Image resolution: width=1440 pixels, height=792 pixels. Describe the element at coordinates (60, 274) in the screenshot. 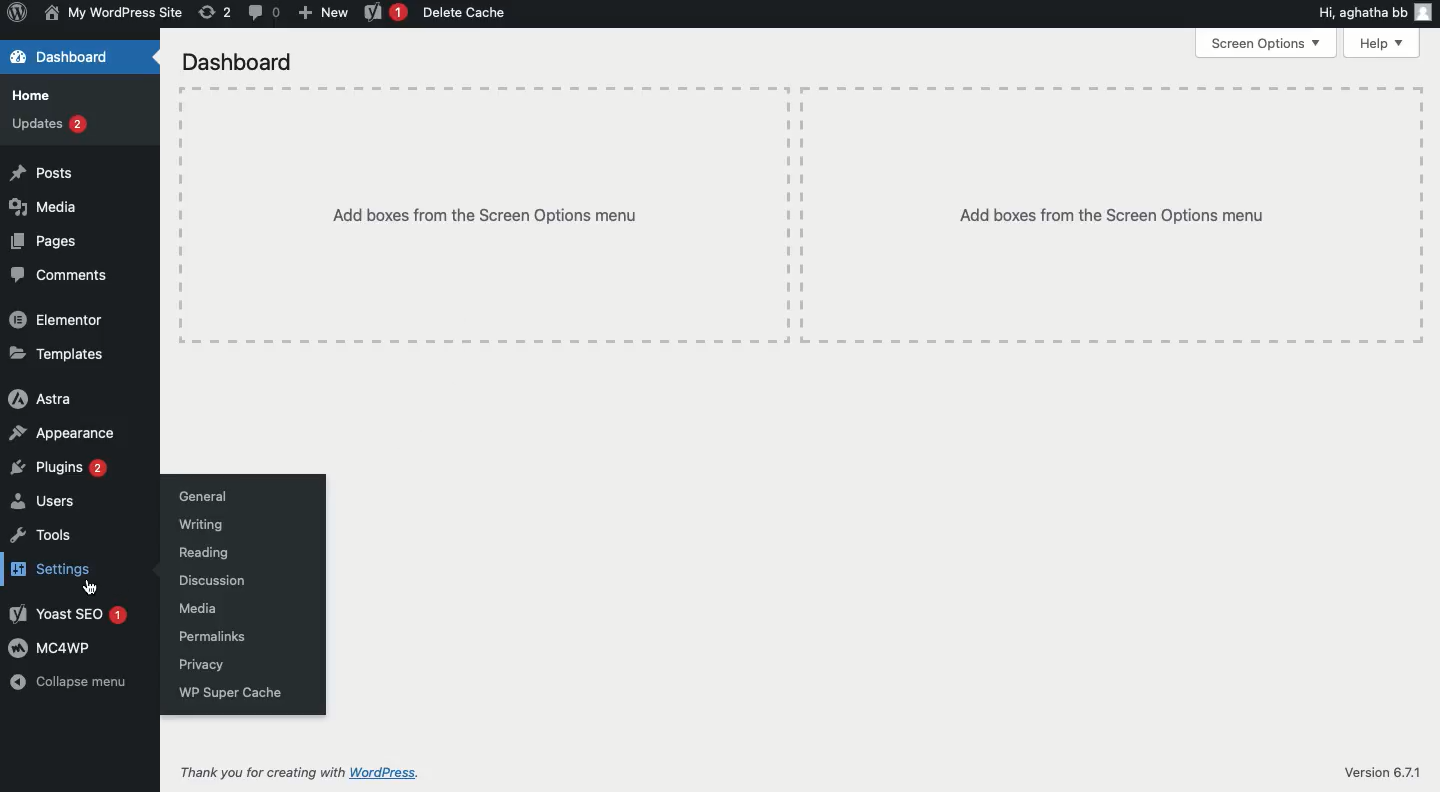

I see `Comments` at that location.